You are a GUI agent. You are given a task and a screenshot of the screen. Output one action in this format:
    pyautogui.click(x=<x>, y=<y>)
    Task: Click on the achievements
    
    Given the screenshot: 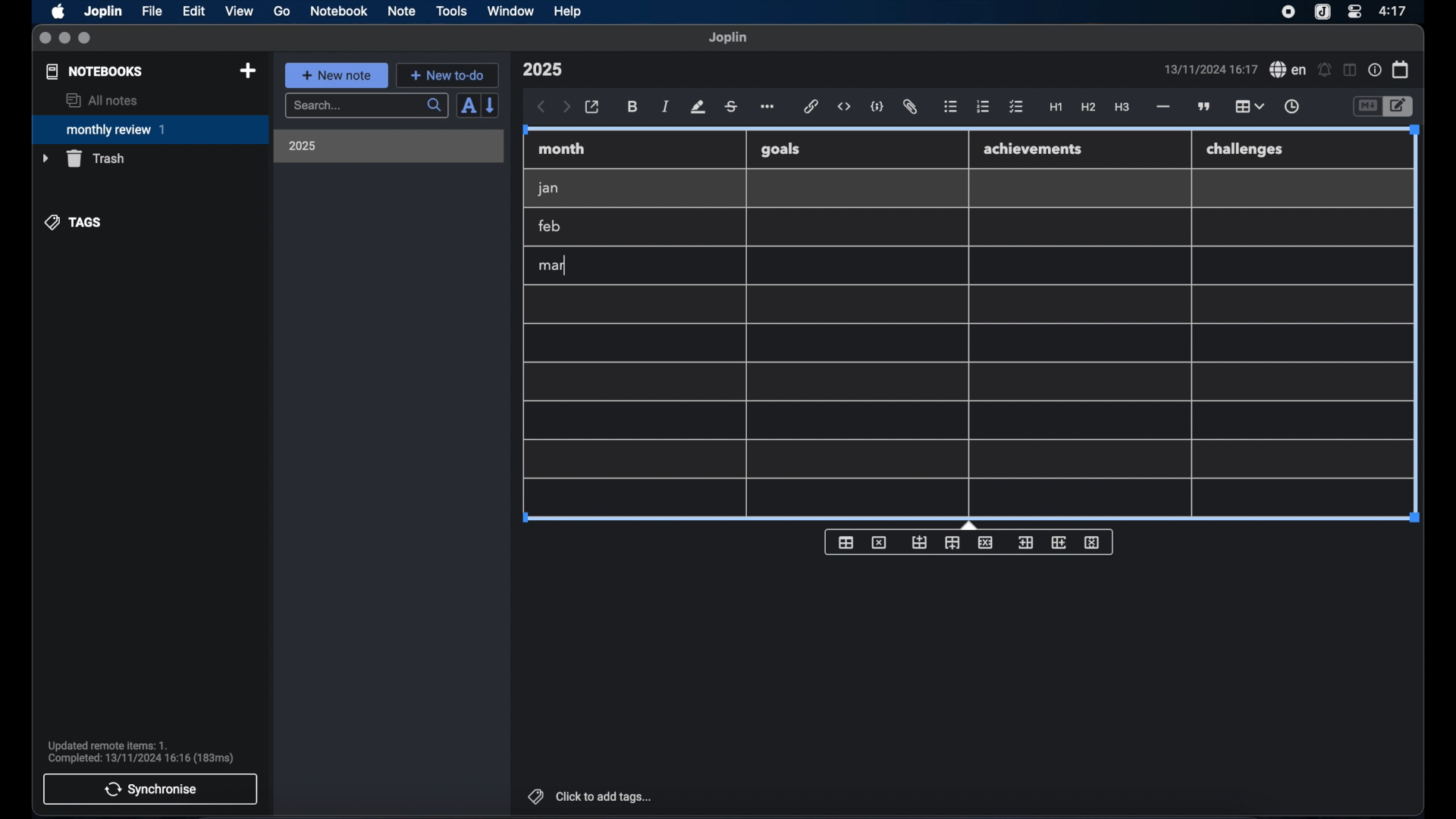 What is the action you would take?
    pyautogui.click(x=1034, y=149)
    